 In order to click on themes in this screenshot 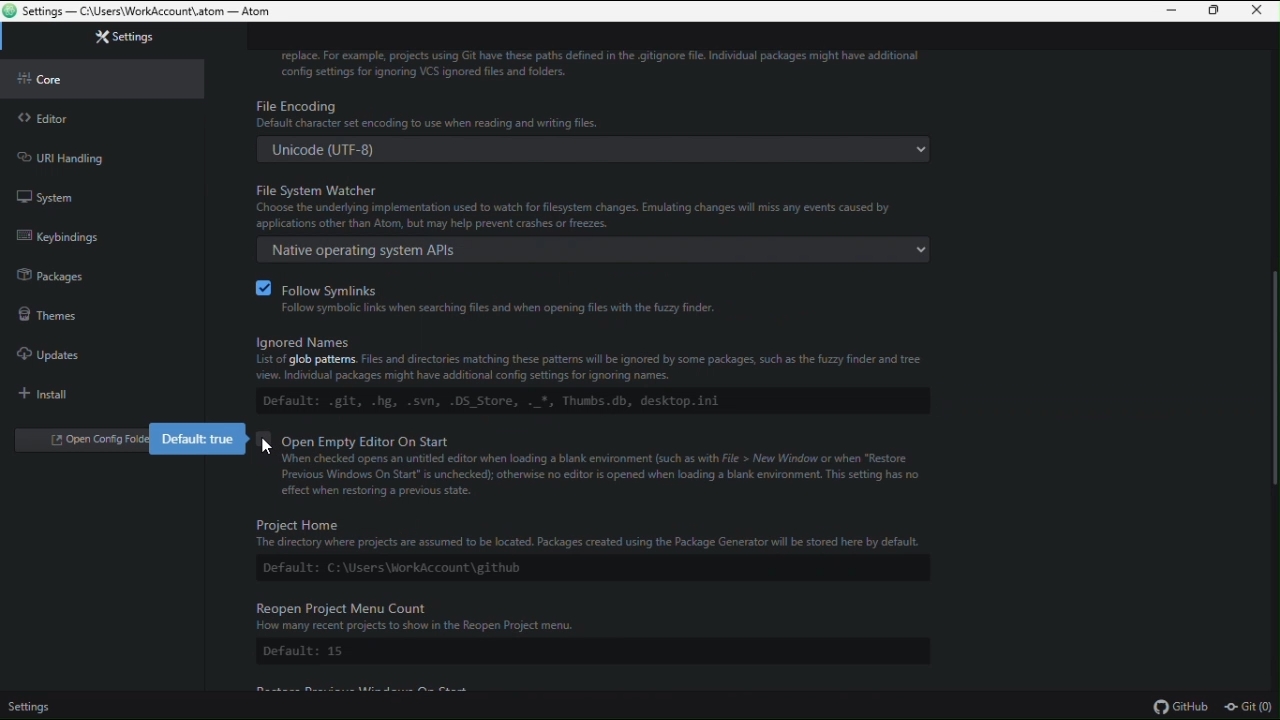, I will do `click(66, 311)`.